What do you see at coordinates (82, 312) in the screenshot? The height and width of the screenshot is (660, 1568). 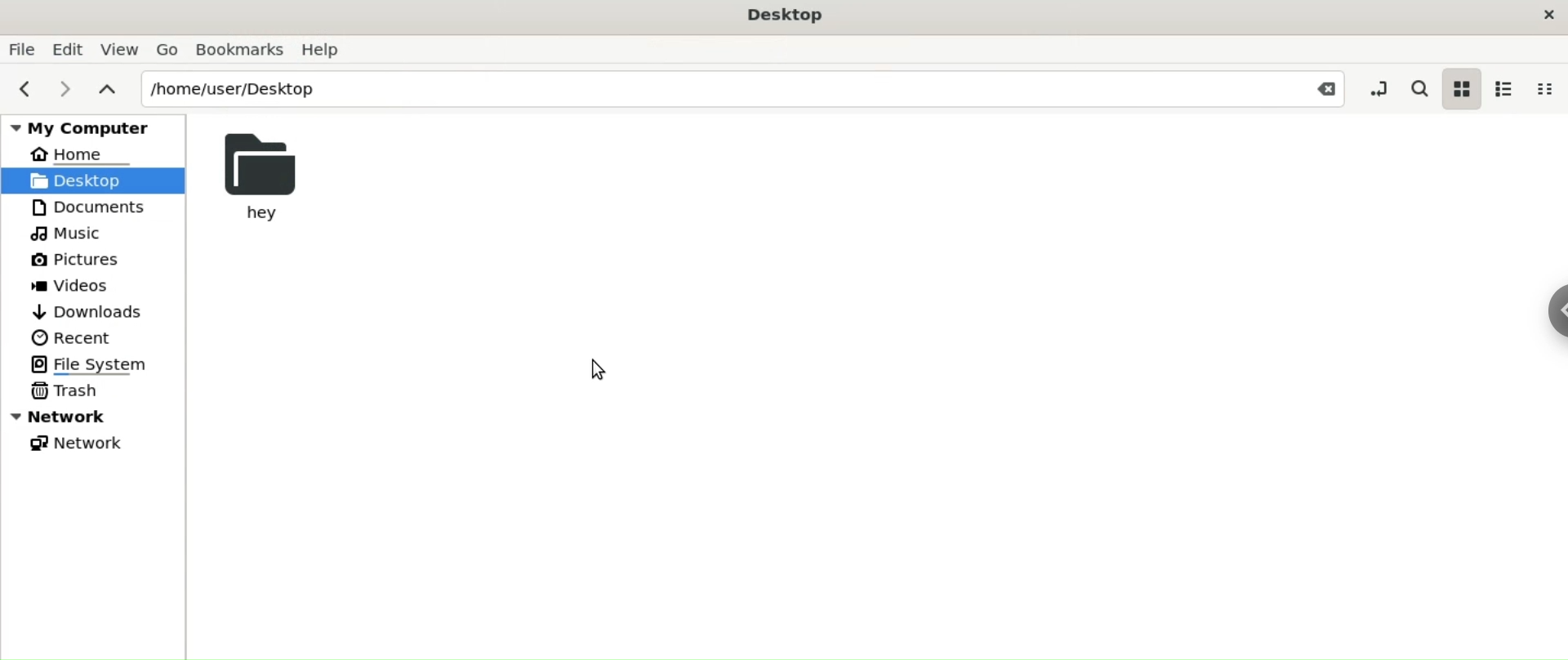 I see `Downloads` at bounding box center [82, 312].